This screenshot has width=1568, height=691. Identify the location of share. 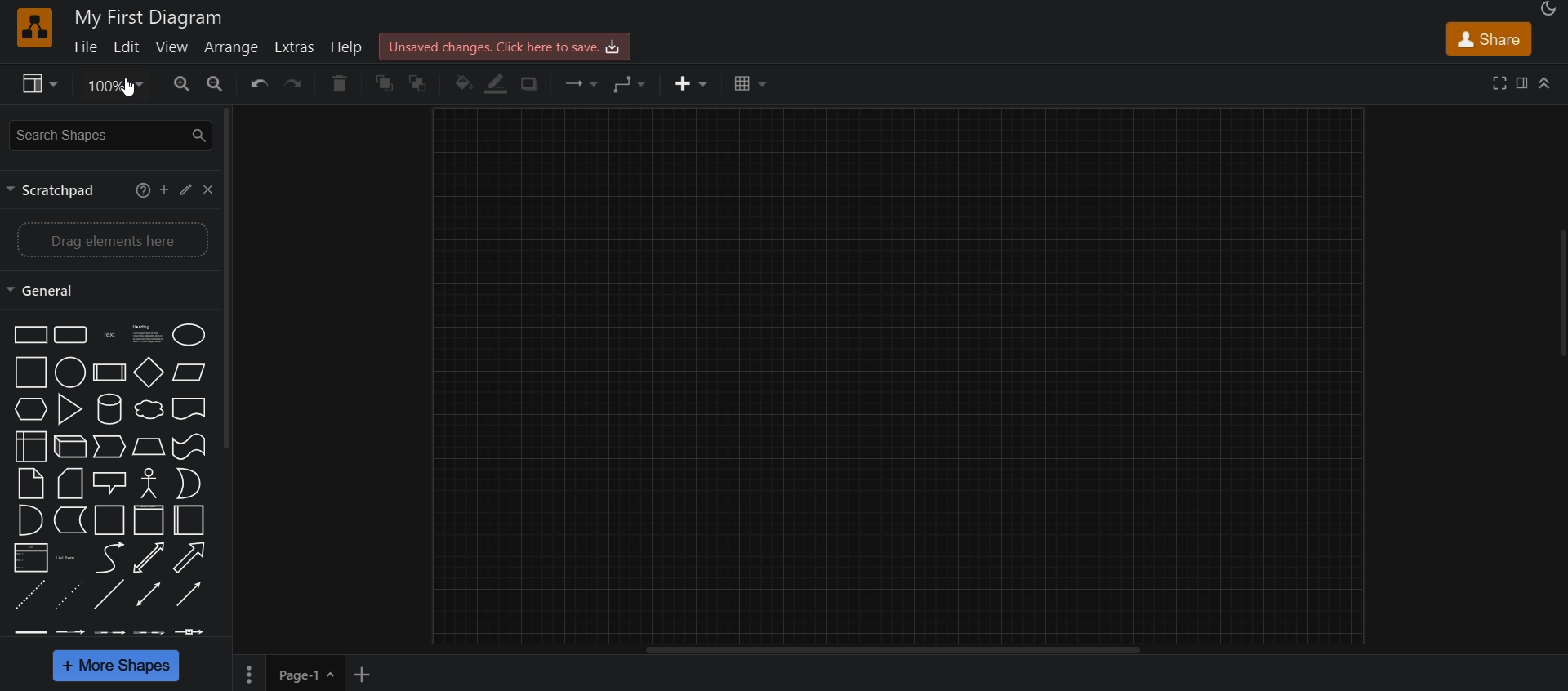
(1488, 38).